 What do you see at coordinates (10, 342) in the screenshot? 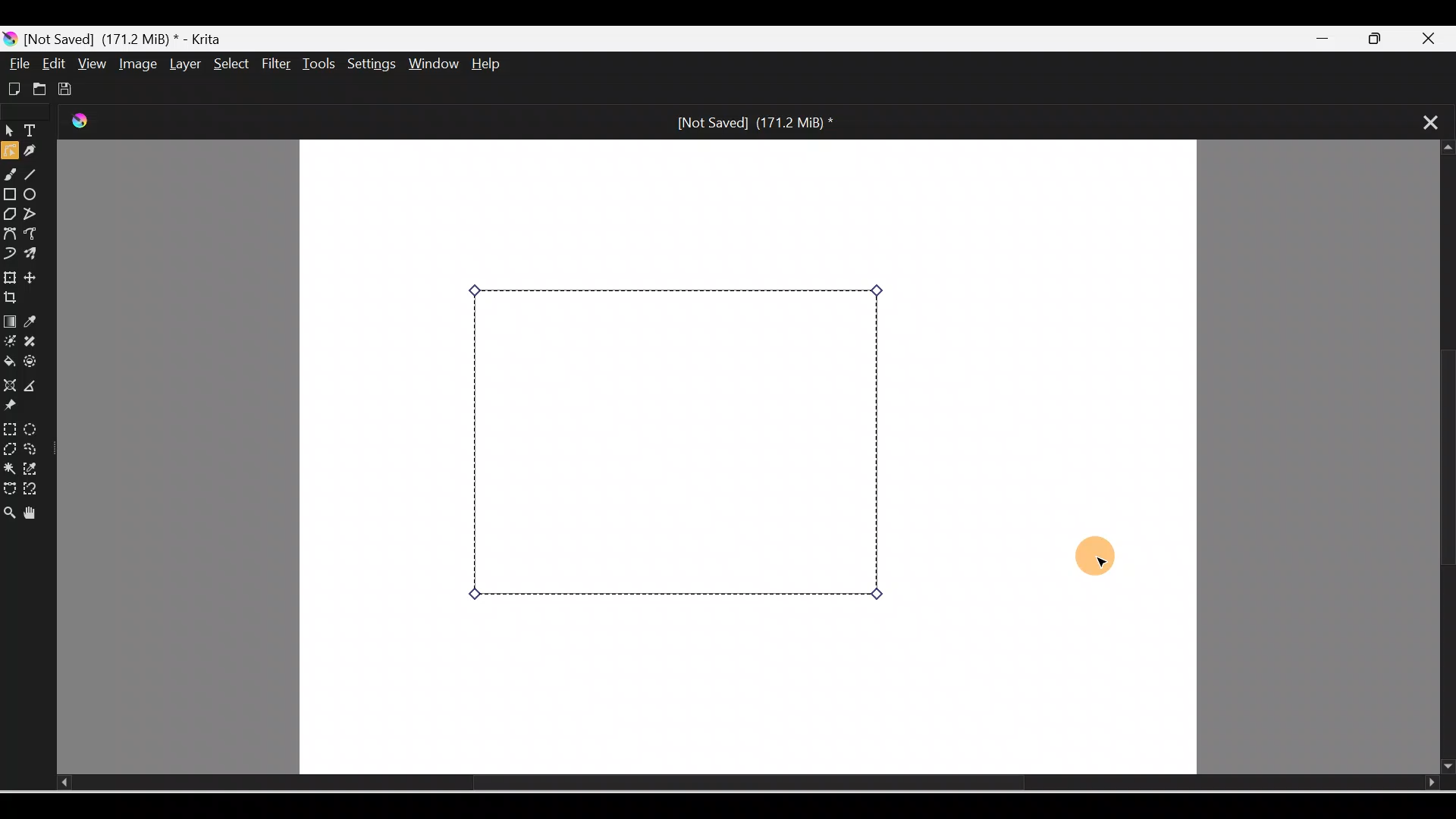
I see `Colorize mask tool` at bounding box center [10, 342].